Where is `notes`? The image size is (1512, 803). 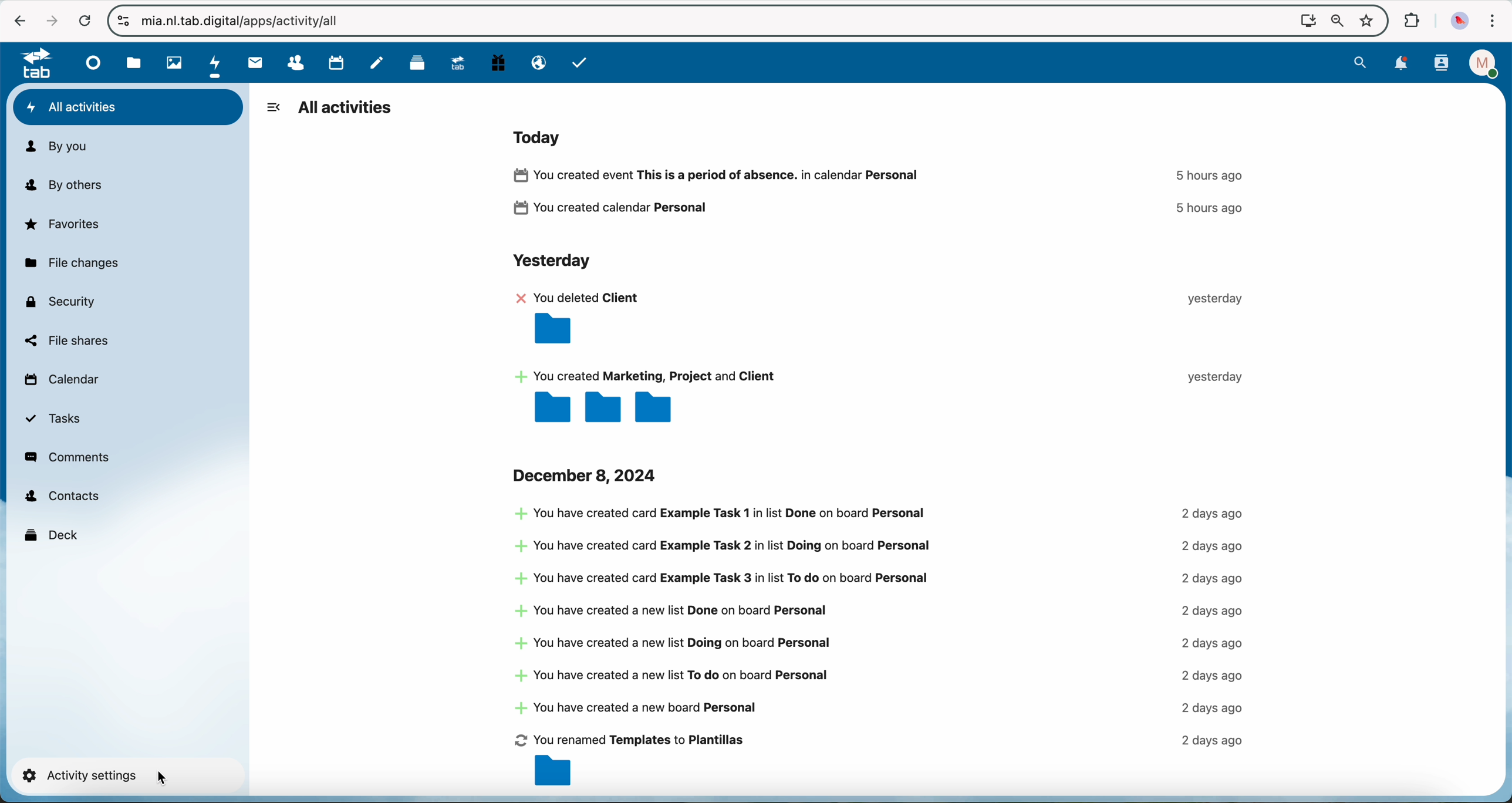
notes is located at coordinates (379, 62).